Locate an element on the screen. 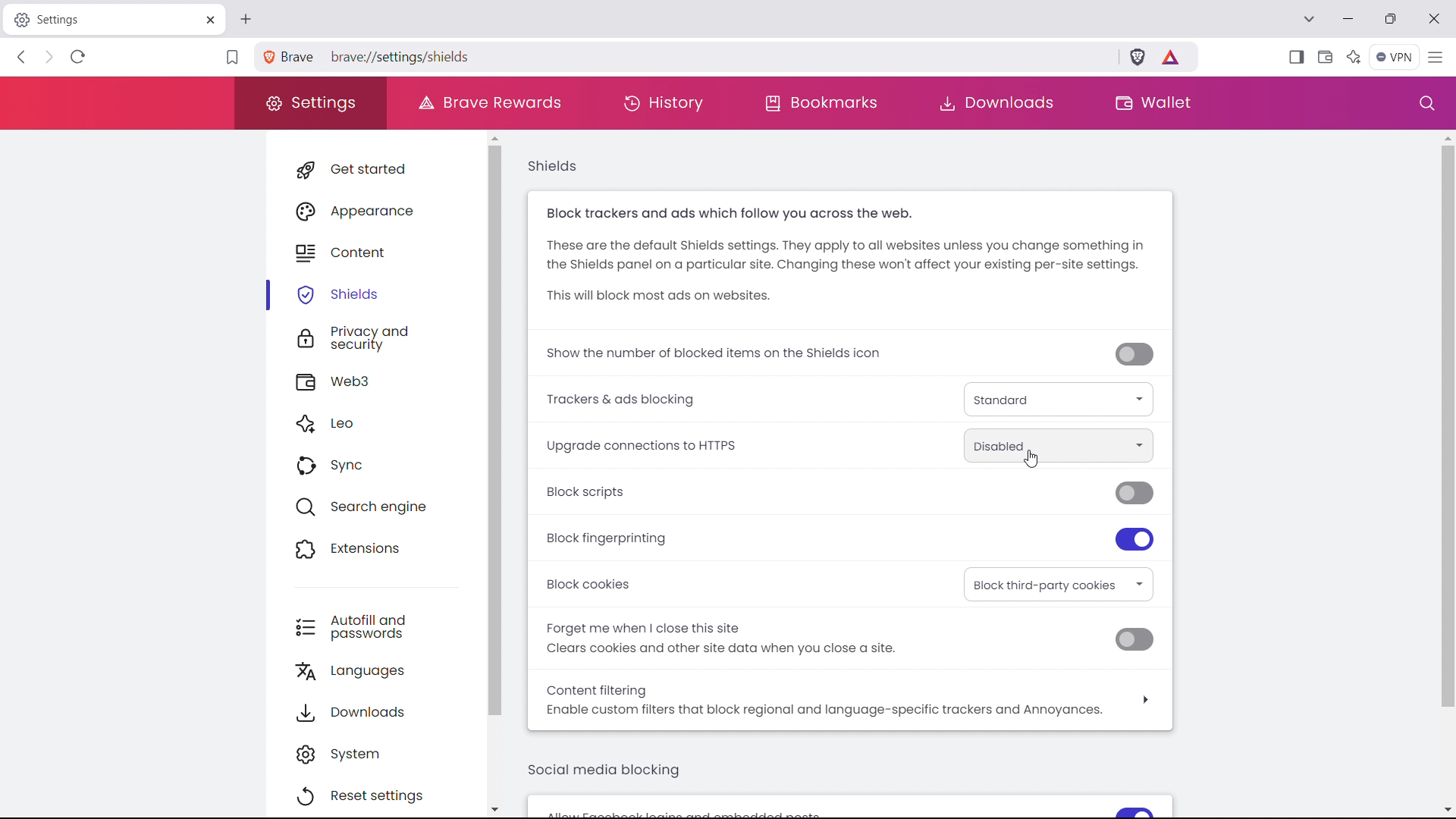 The height and width of the screenshot is (819, 1456). Block trackers and ads which follow you across the web. is located at coordinates (740, 214).